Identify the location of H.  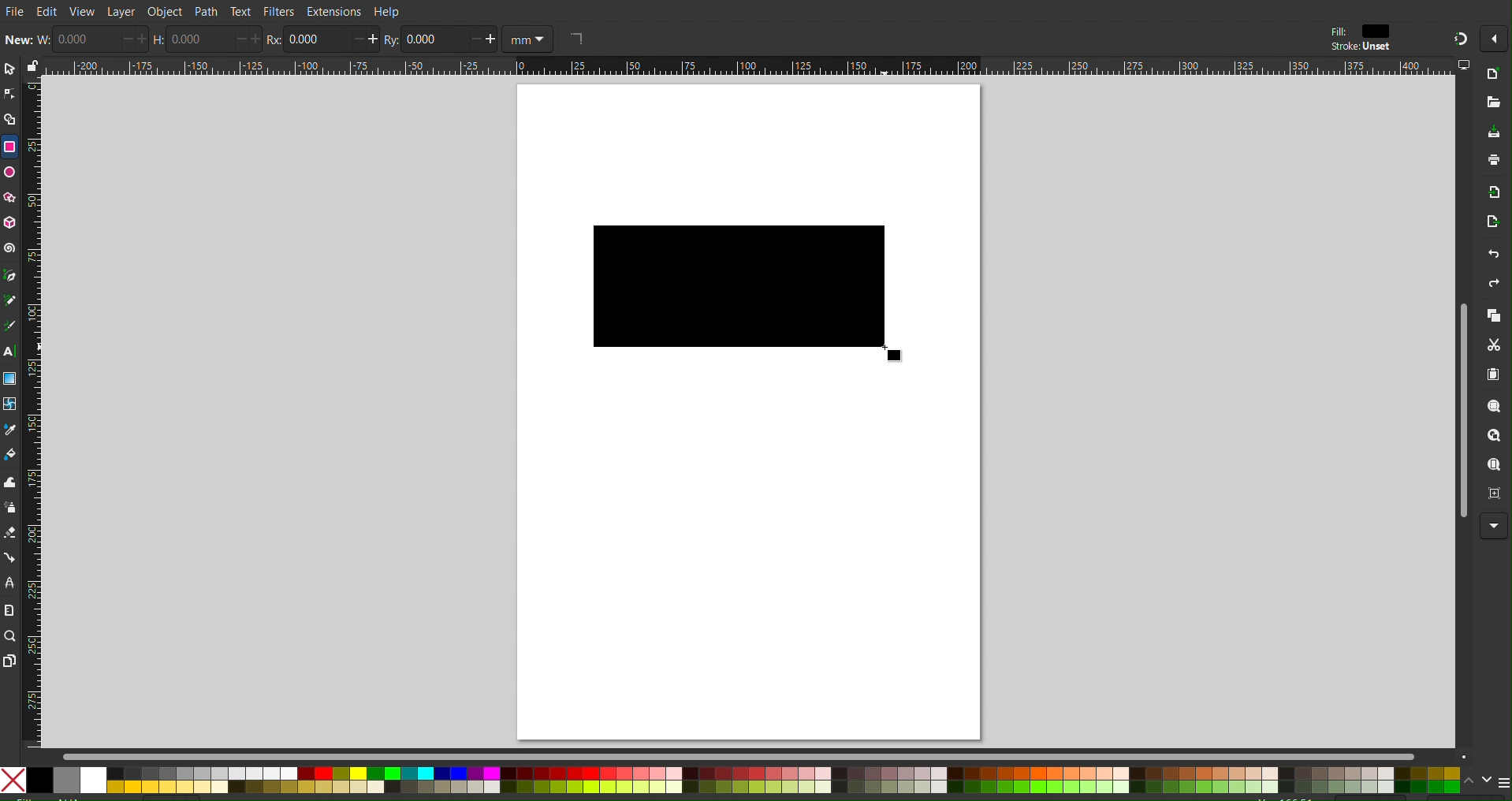
(159, 43).